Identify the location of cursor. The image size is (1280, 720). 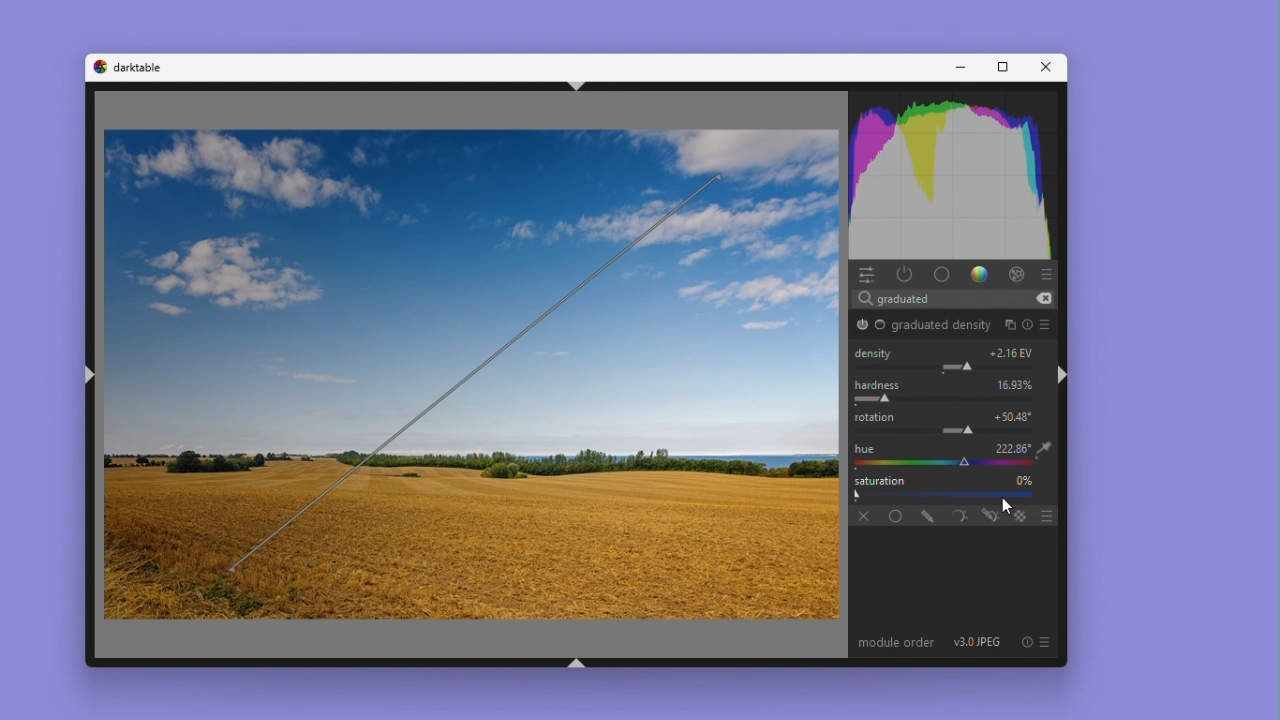
(1006, 506).